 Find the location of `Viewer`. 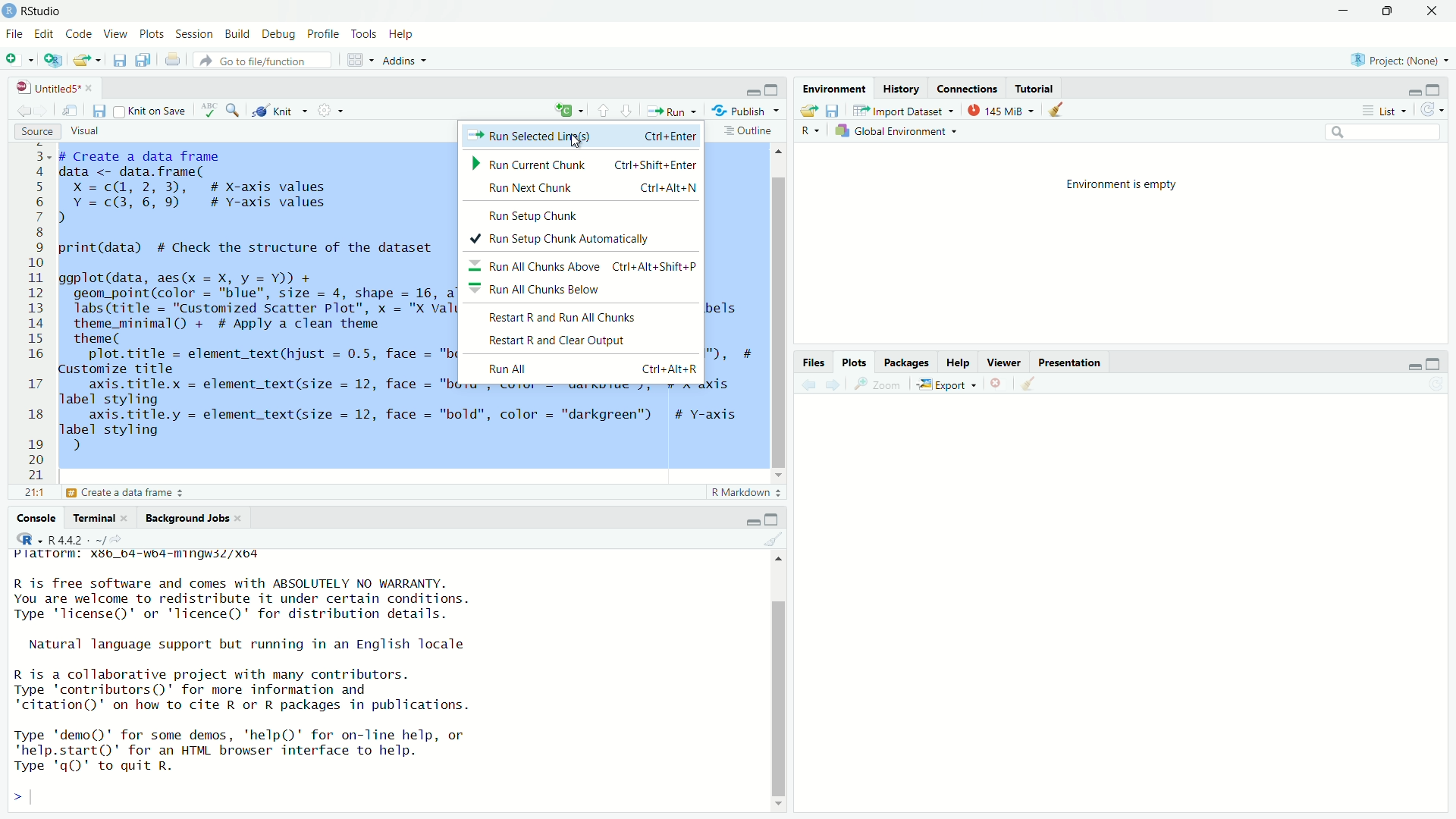

Viewer is located at coordinates (1002, 365).